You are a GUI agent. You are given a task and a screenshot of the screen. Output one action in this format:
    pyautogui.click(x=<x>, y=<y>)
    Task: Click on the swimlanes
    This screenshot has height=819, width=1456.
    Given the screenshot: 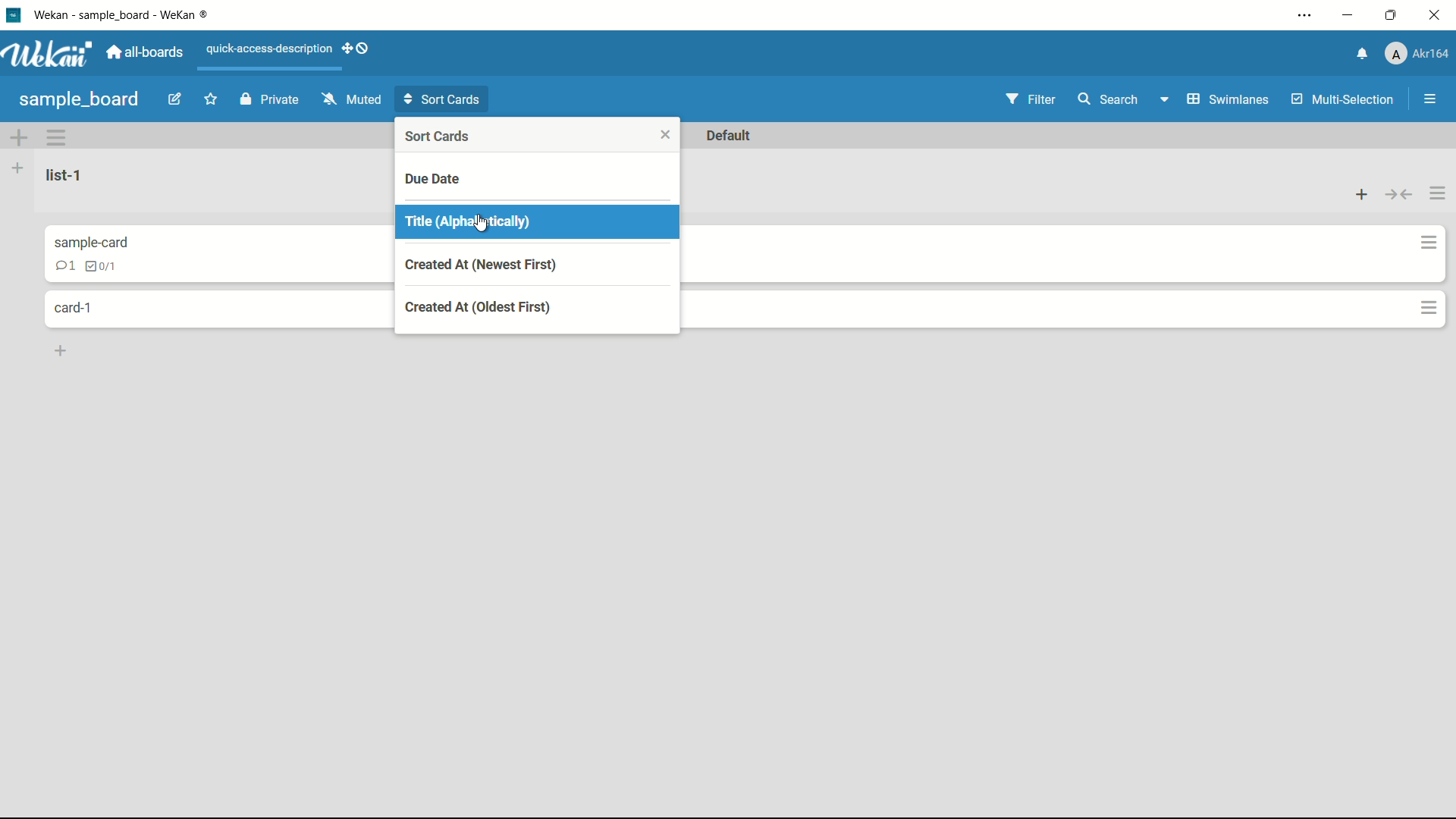 What is the action you would take?
    pyautogui.click(x=1214, y=99)
    